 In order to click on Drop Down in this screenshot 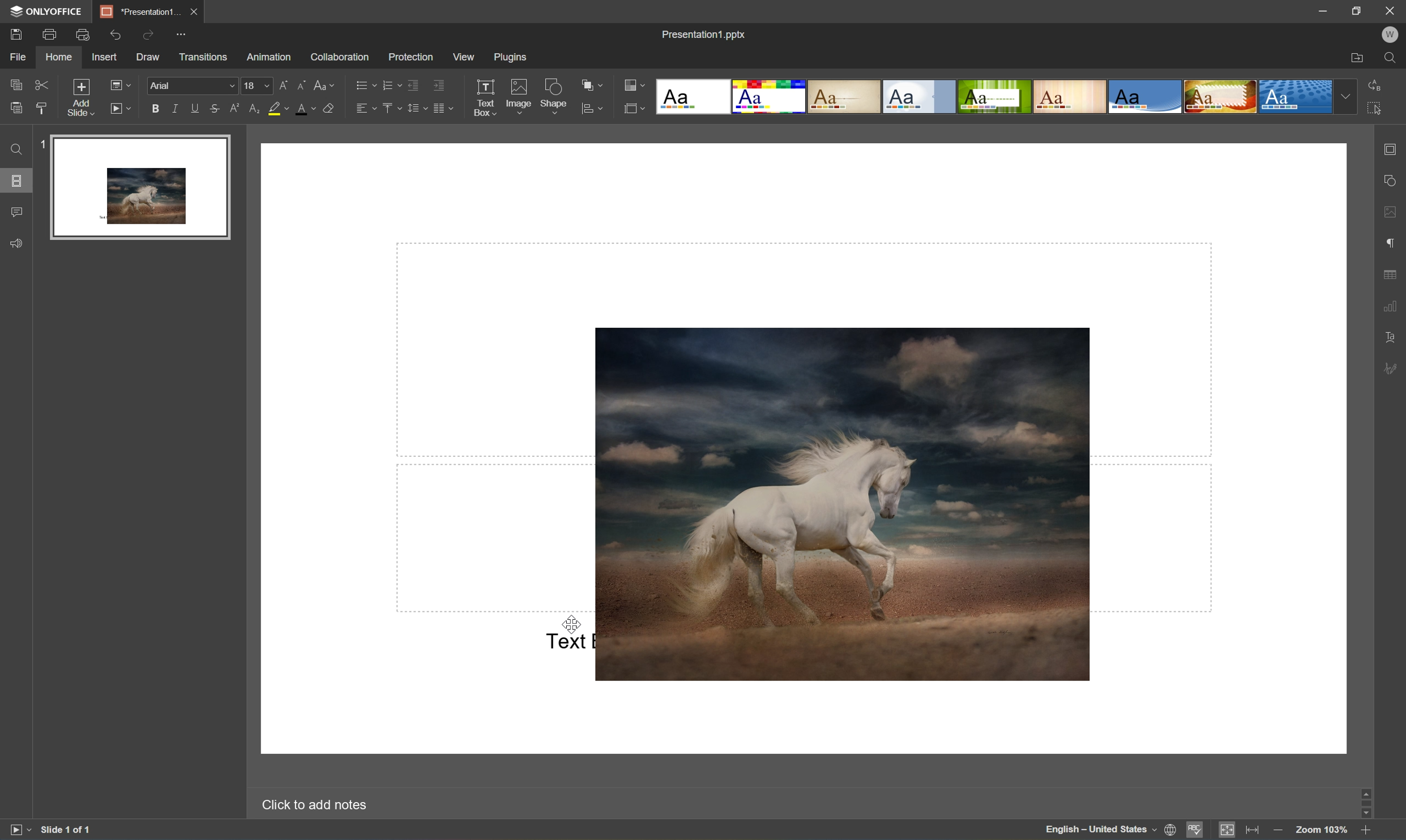, I will do `click(1348, 96)`.